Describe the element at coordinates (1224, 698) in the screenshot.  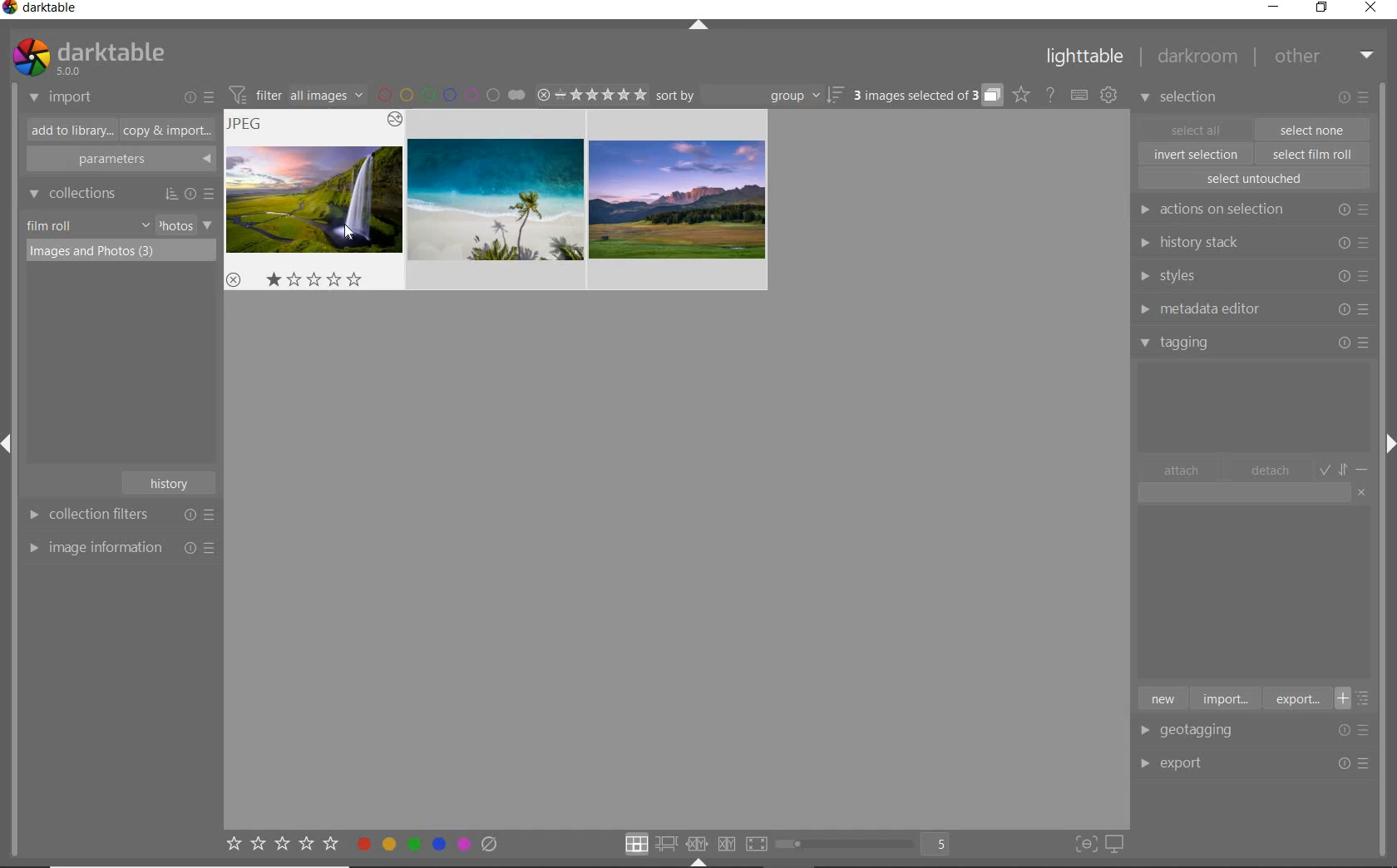
I see `import` at that location.